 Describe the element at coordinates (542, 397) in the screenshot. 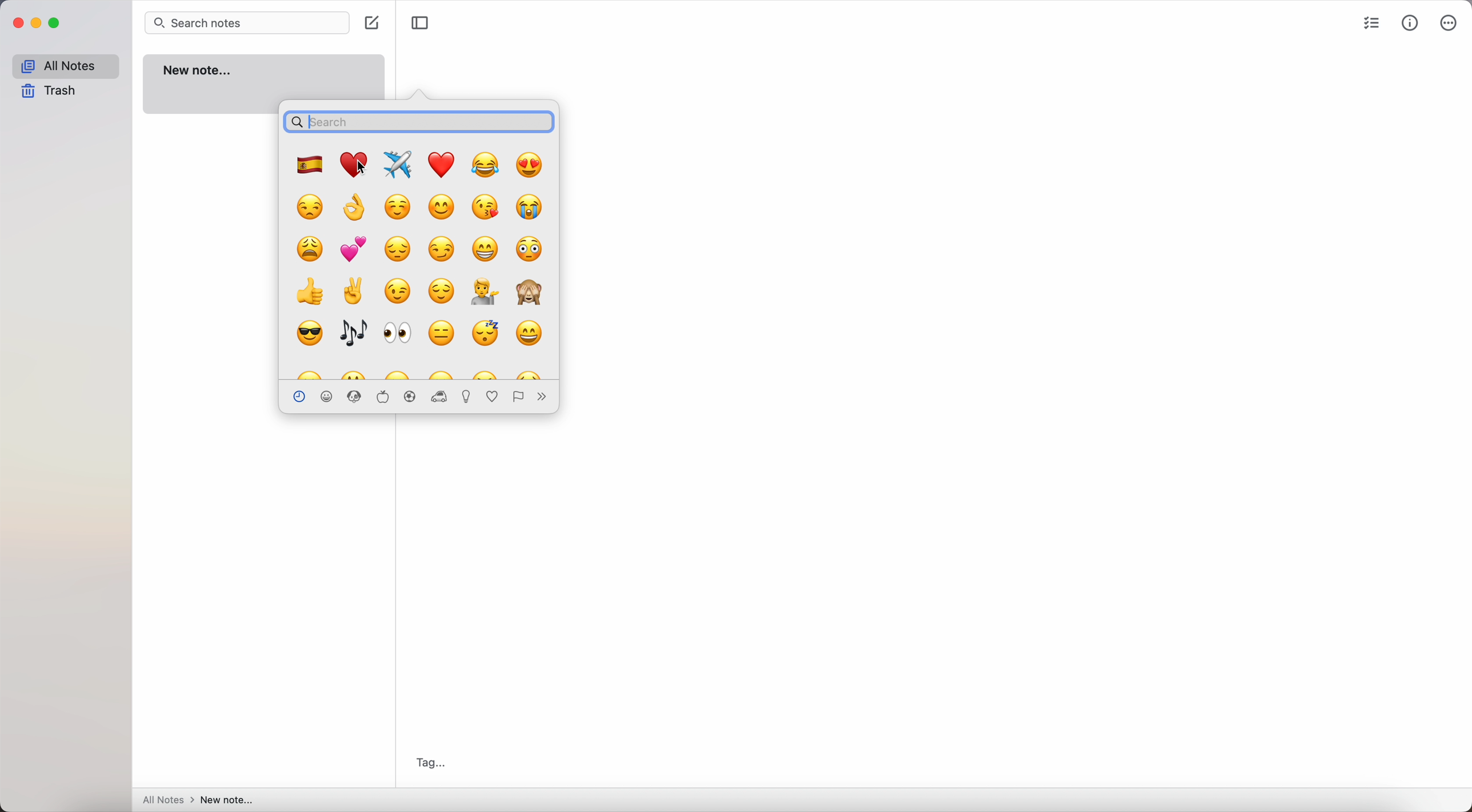

I see `foward` at that location.